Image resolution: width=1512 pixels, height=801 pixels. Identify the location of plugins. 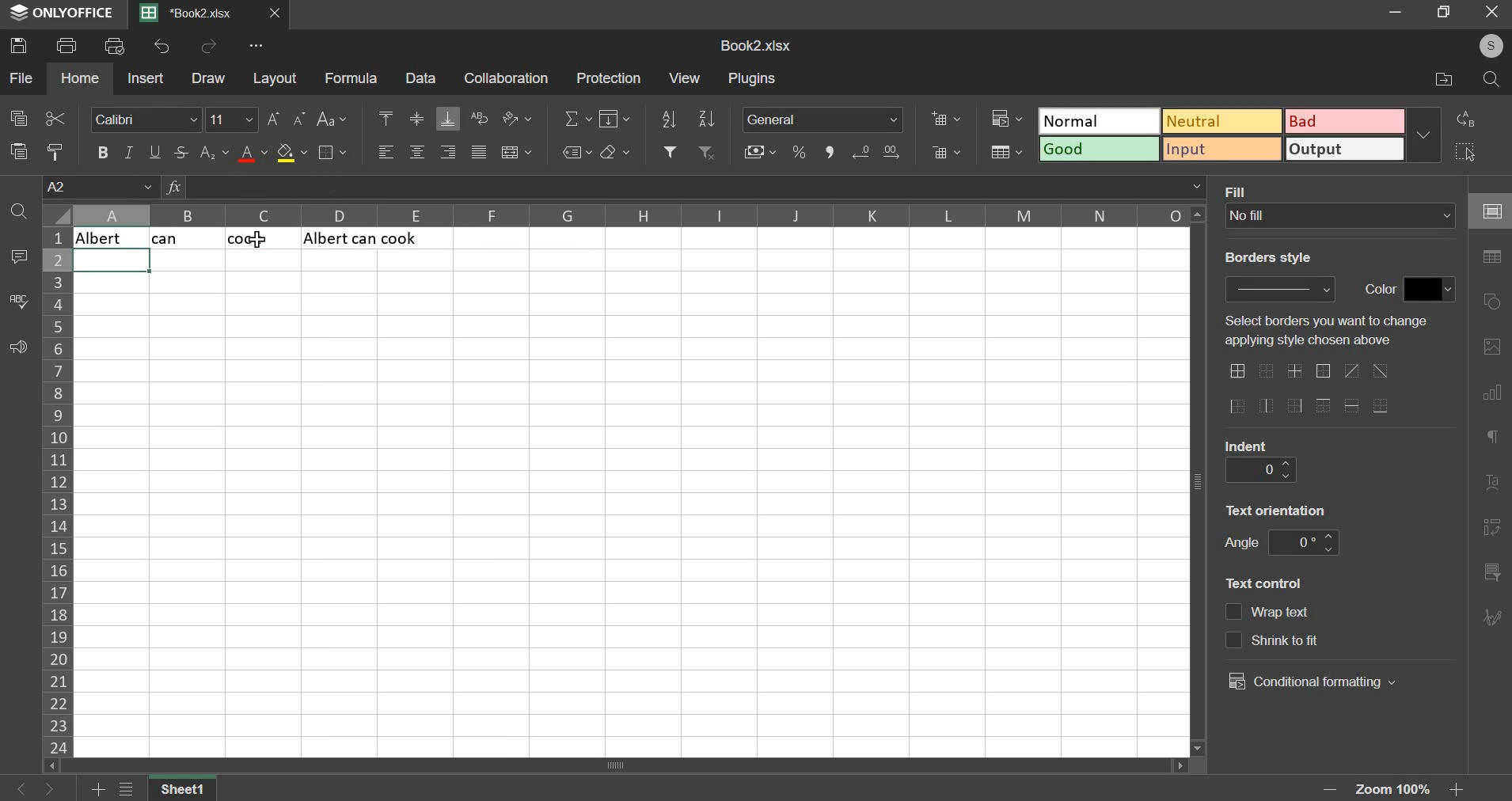
(754, 79).